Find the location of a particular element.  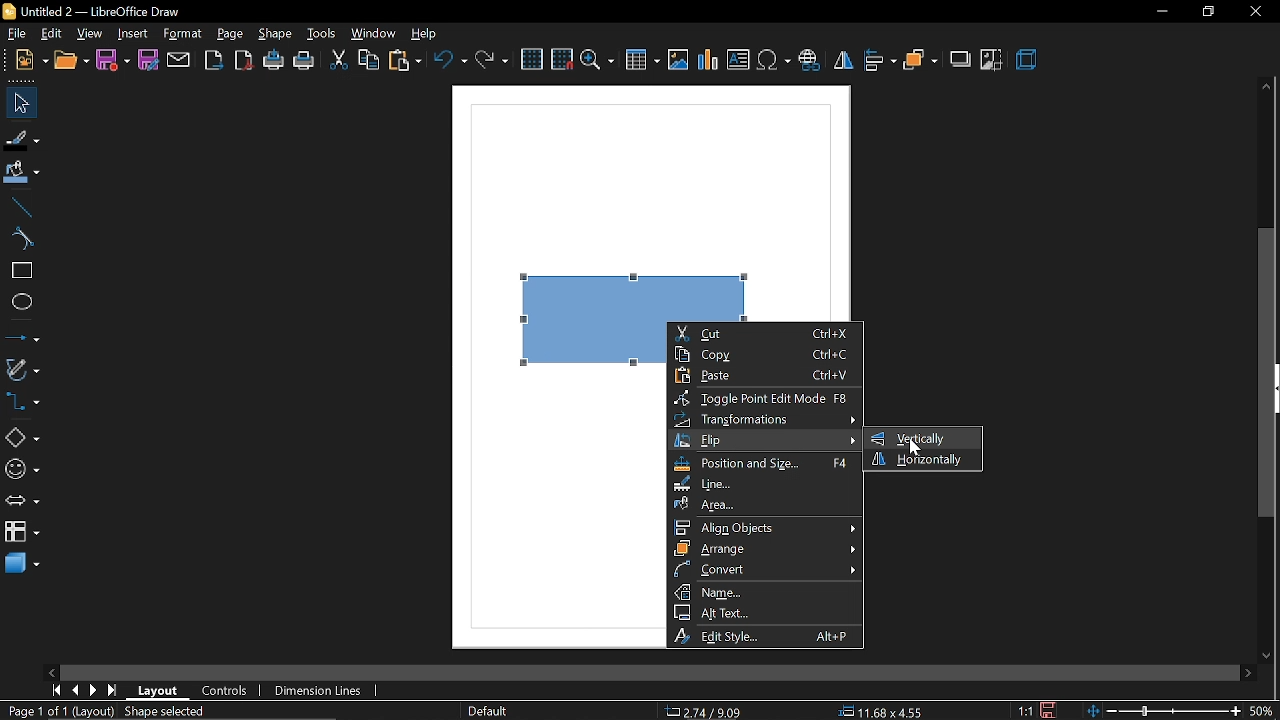

shadow is located at coordinates (960, 61).